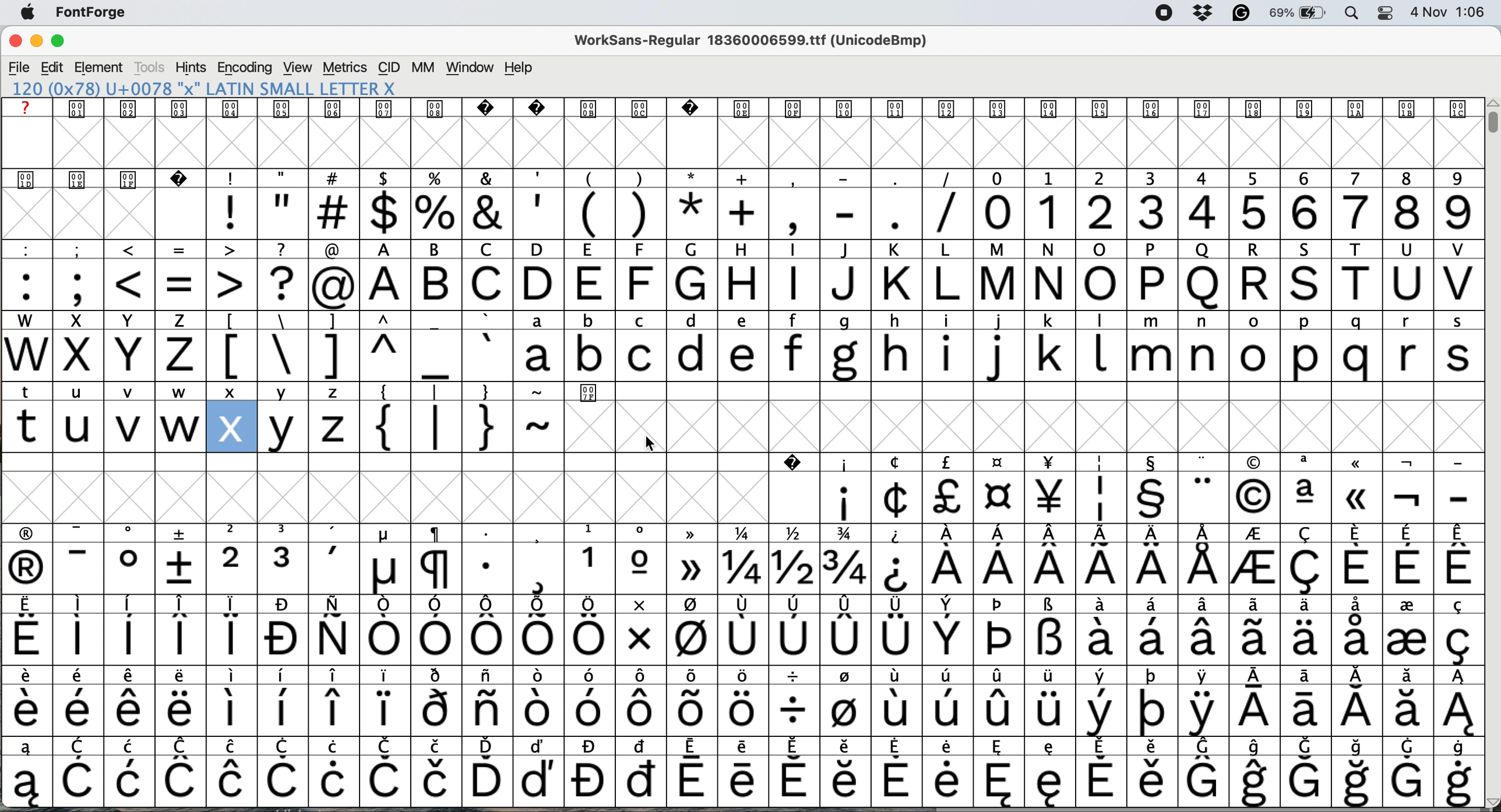 Image resolution: width=1501 pixels, height=812 pixels. I want to click on data cells, so click(1045, 391).